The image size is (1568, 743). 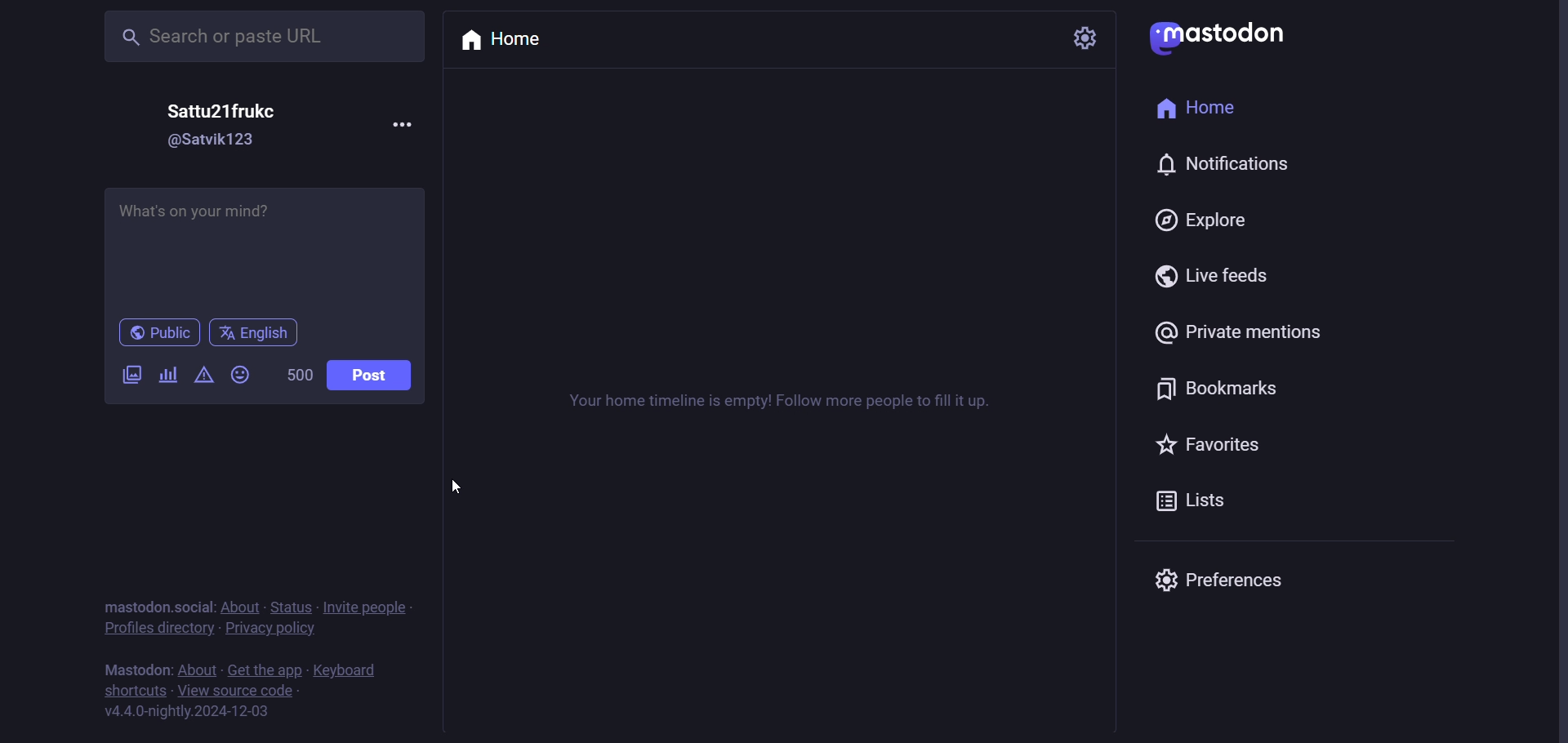 I want to click on about, so click(x=194, y=670).